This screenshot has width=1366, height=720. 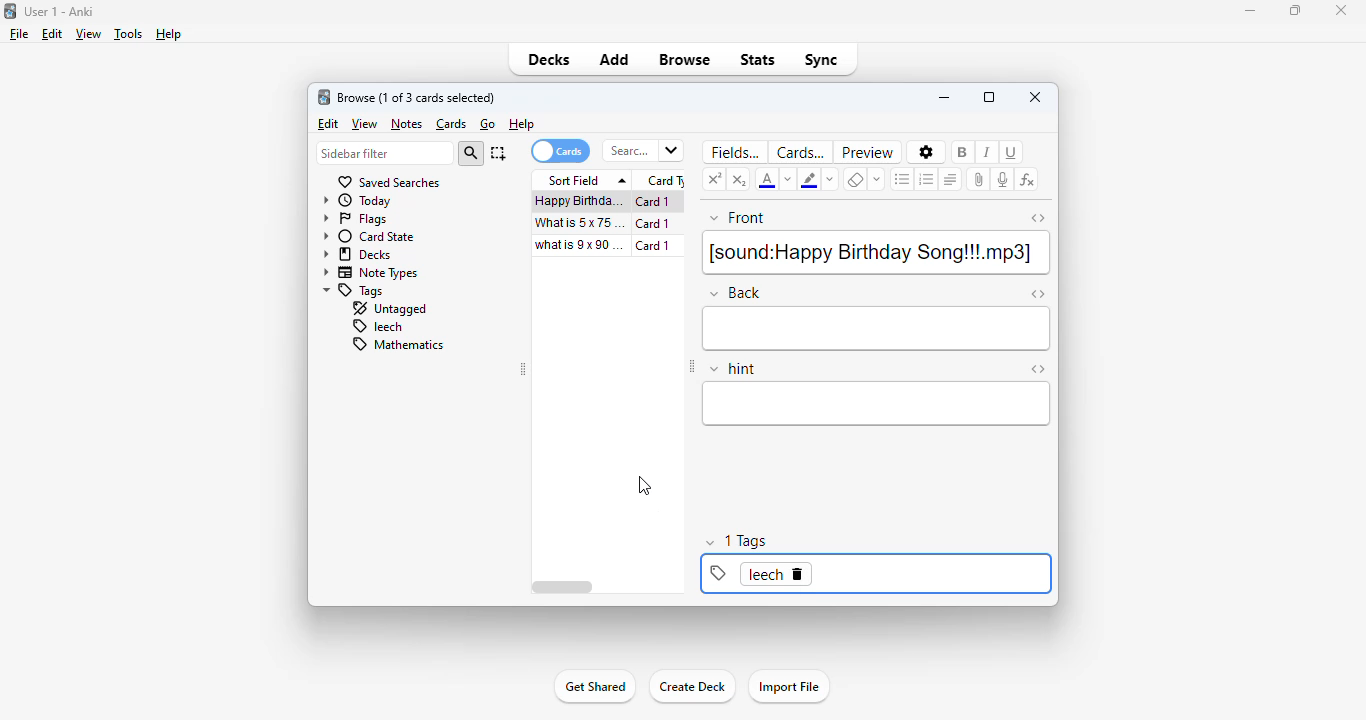 I want to click on decks, so click(x=357, y=255).